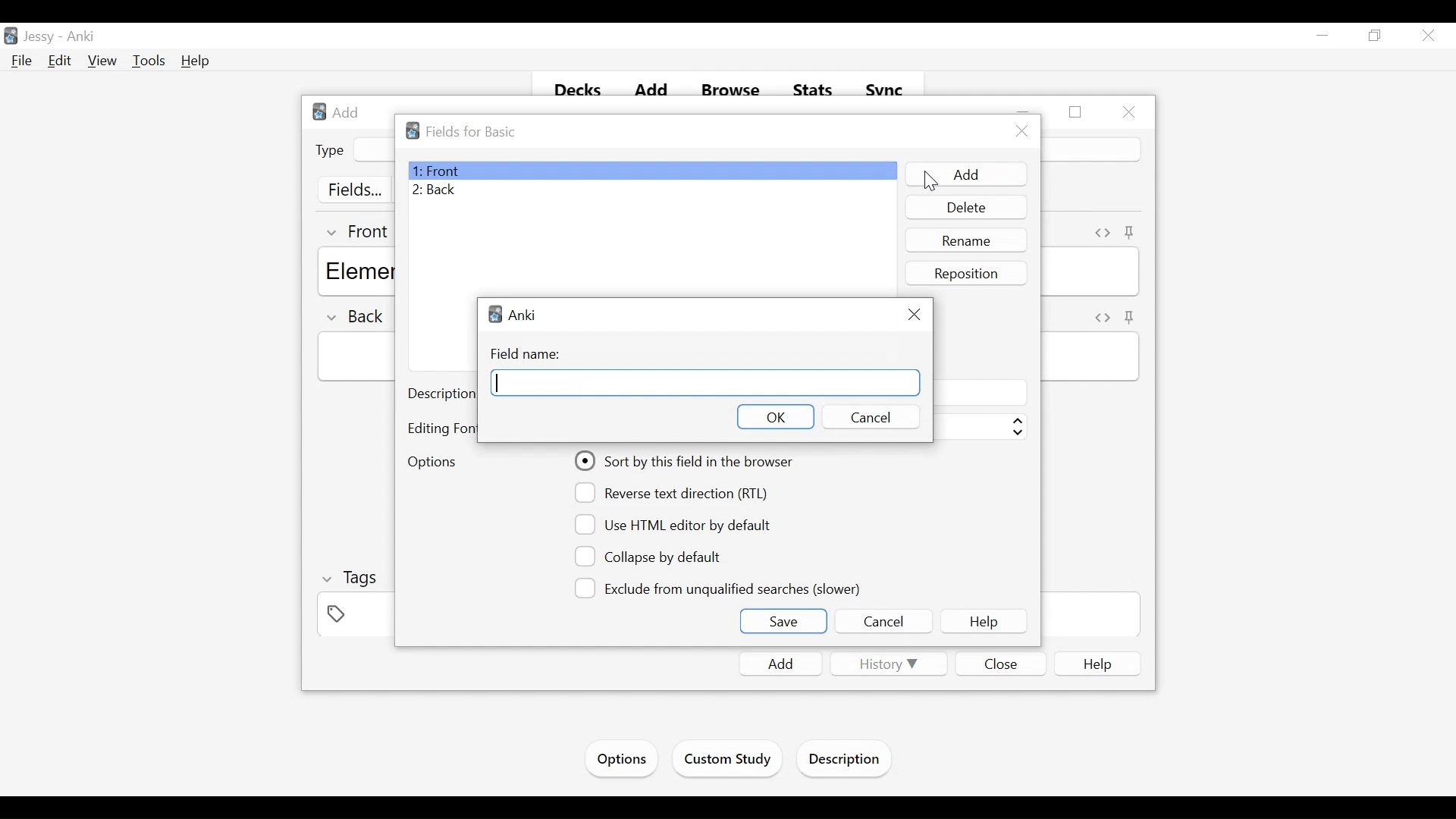 The height and width of the screenshot is (819, 1456). What do you see at coordinates (42, 37) in the screenshot?
I see `User Name` at bounding box center [42, 37].